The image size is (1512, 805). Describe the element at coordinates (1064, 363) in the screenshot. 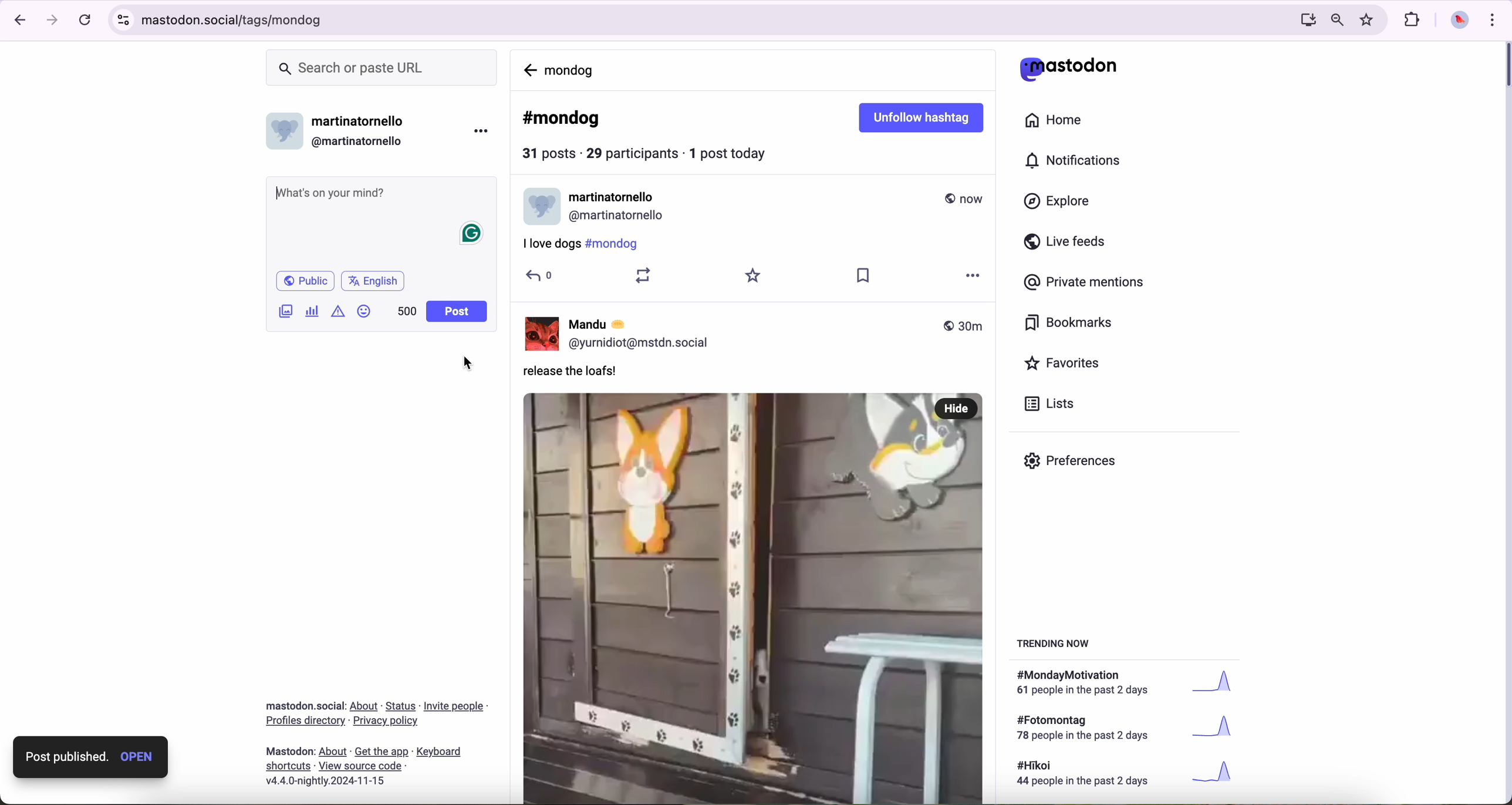

I see `favorites` at that location.